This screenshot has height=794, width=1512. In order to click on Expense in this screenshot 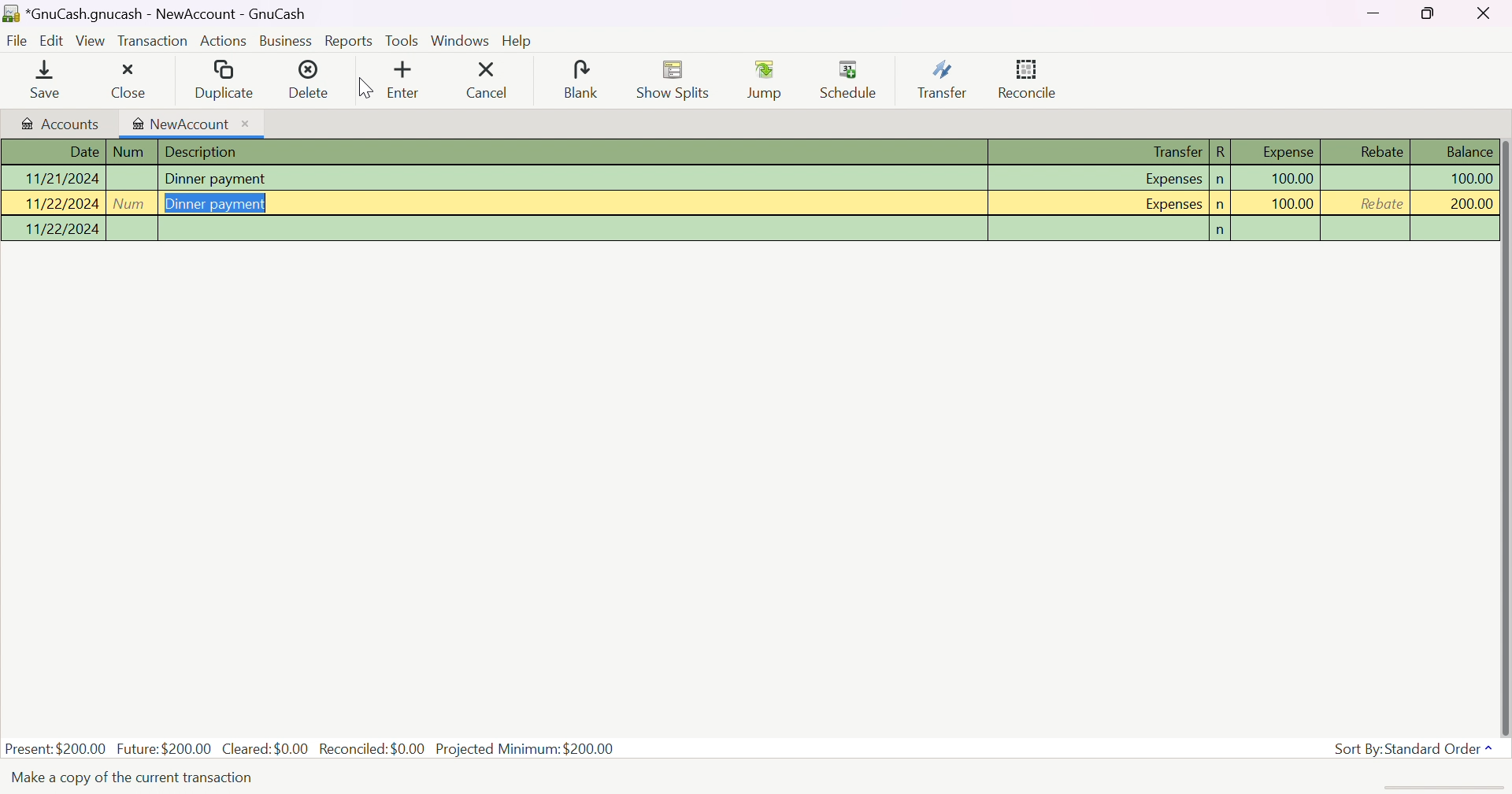, I will do `click(1287, 151)`.